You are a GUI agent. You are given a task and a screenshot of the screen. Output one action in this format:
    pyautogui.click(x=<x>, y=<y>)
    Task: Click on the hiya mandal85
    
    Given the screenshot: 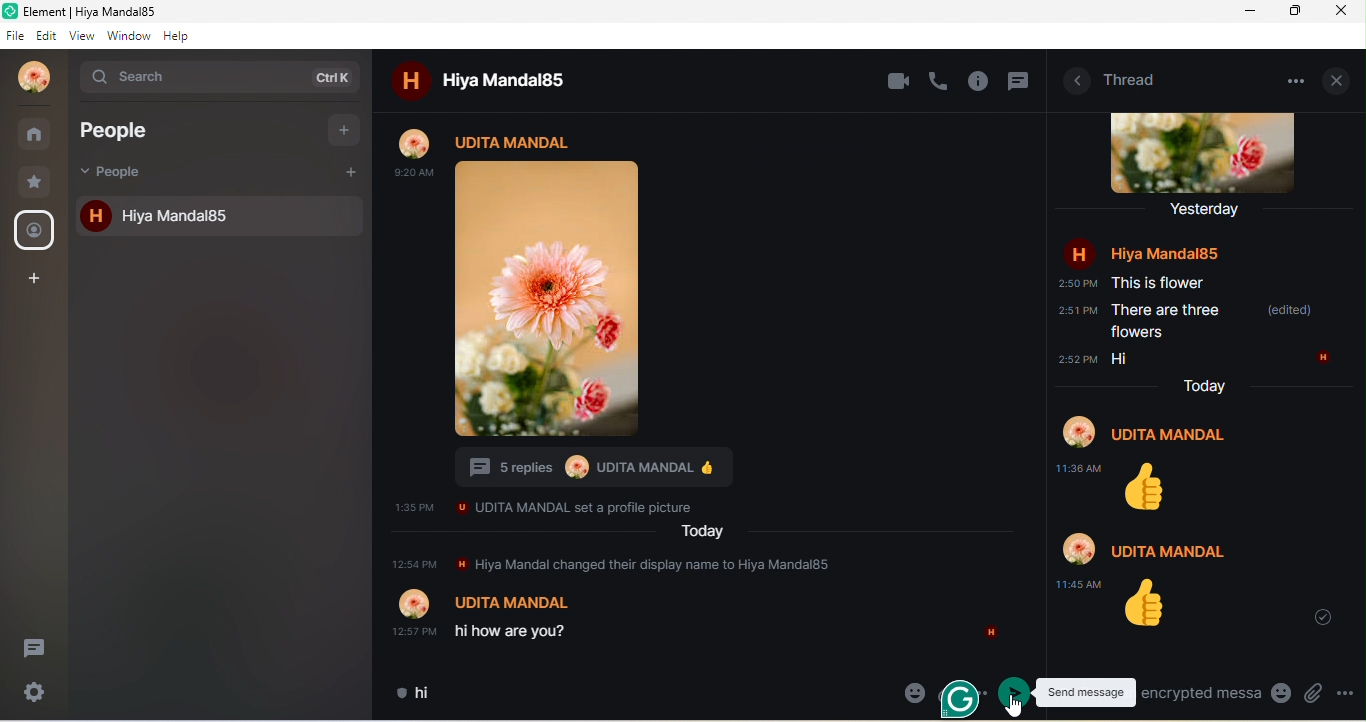 What is the action you would take?
    pyautogui.click(x=511, y=79)
    